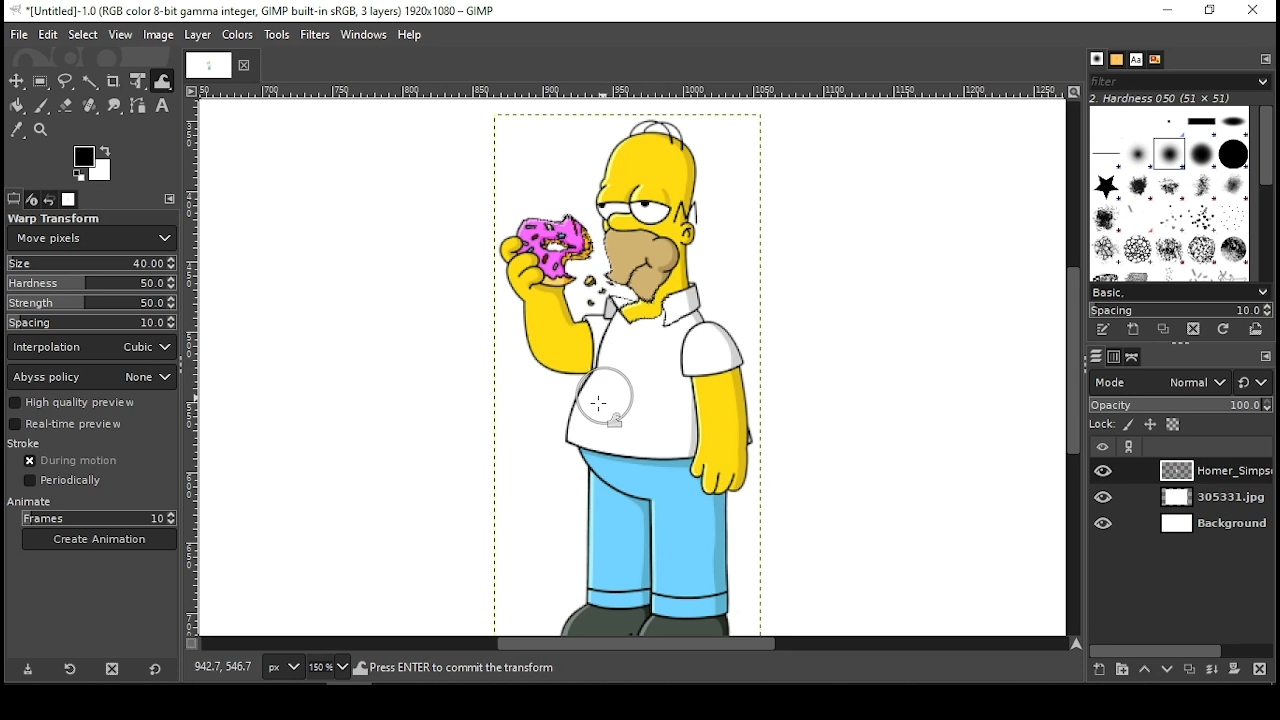  What do you see at coordinates (223, 668) in the screenshot?
I see `892.0, 406.0` at bounding box center [223, 668].